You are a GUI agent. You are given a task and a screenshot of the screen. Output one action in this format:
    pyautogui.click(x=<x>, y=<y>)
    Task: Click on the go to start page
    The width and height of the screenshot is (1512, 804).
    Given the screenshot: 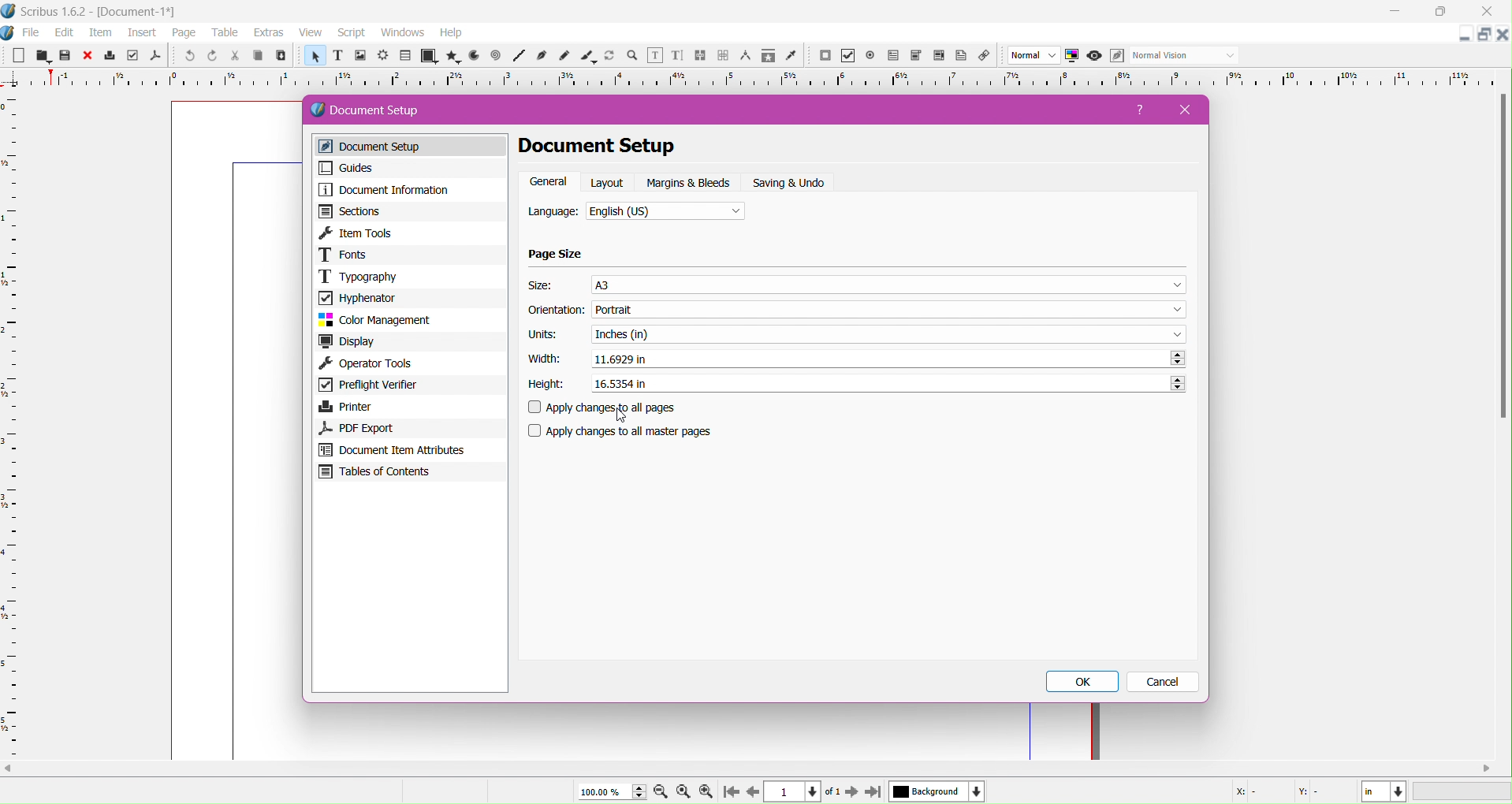 What is the action you would take?
    pyautogui.click(x=729, y=793)
    